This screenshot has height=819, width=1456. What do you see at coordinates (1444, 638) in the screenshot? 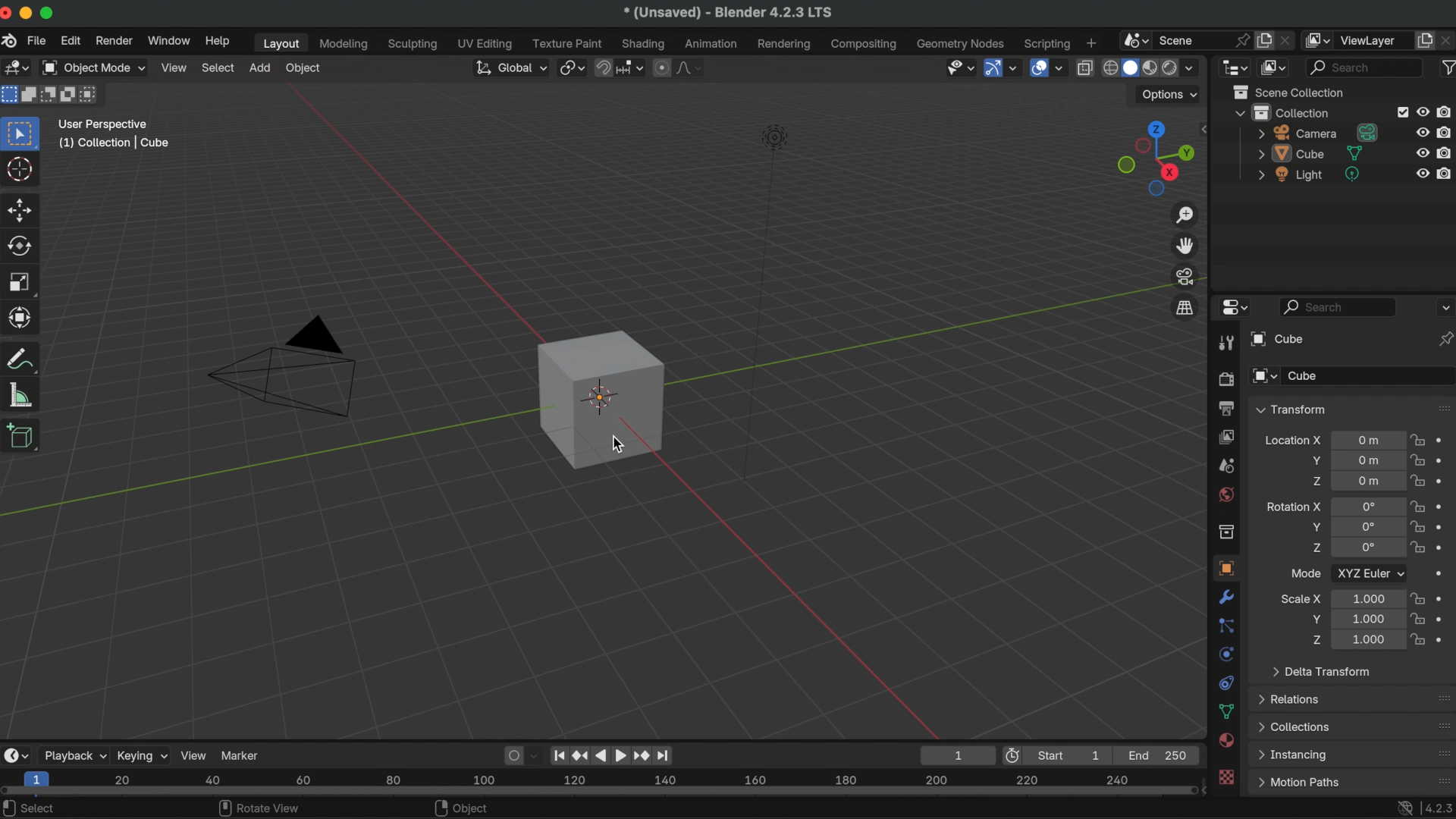
I see `animate property` at bounding box center [1444, 638].